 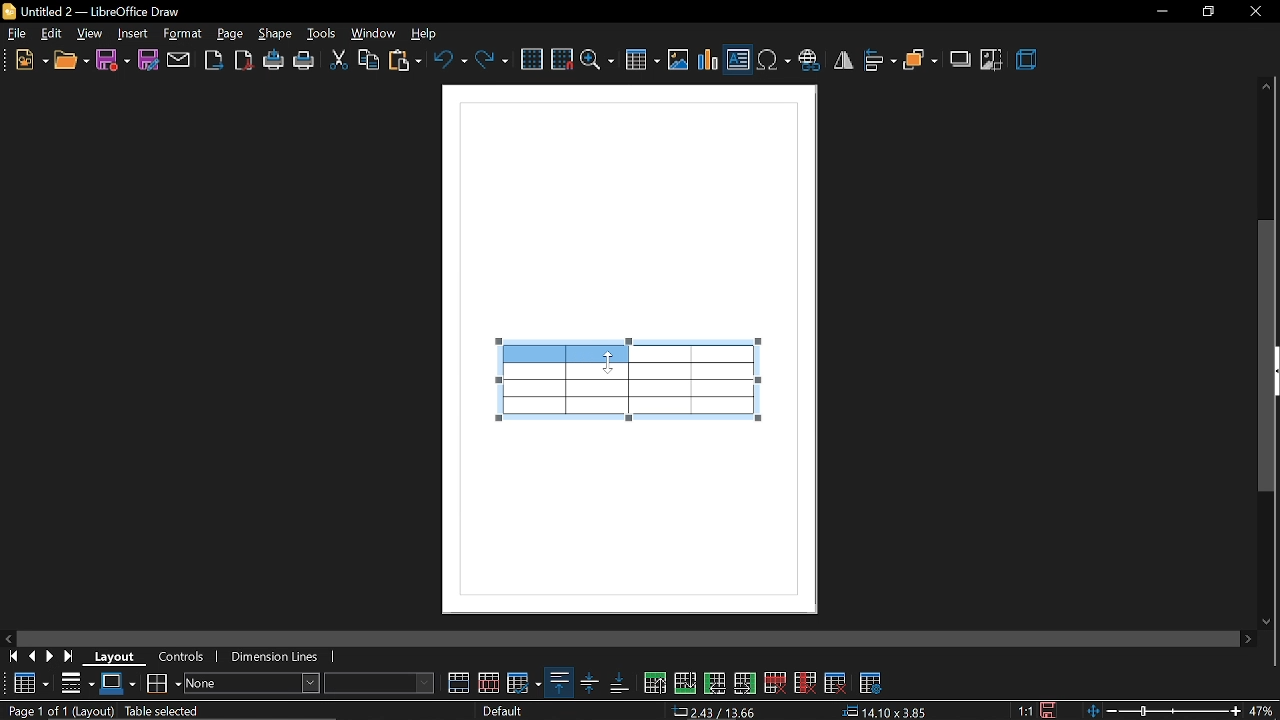 What do you see at coordinates (134, 34) in the screenshot?
I see `insert` at bounding box center [134, 34].